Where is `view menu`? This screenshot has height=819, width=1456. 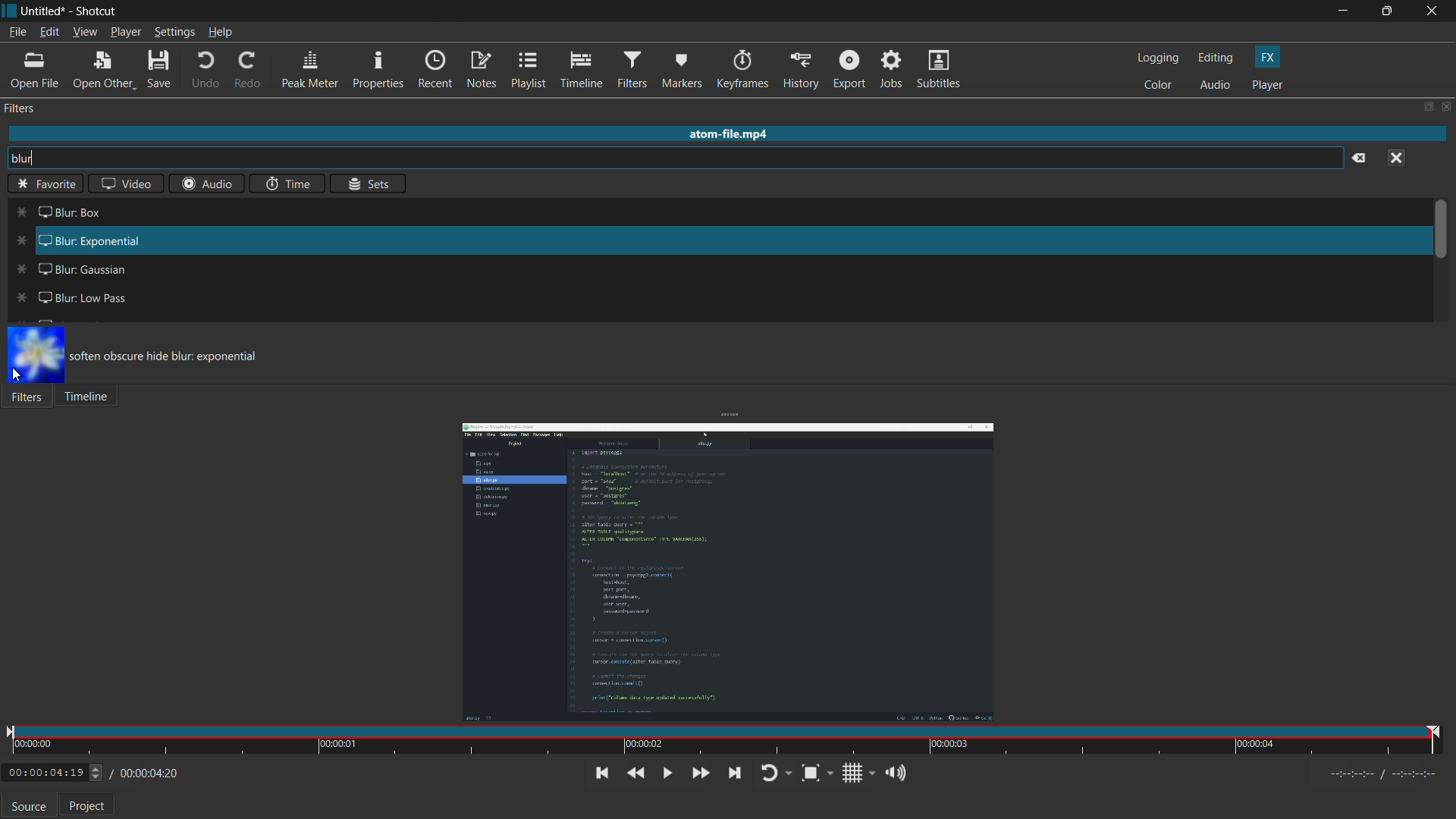 view menu is located at coordinates (83, 33).